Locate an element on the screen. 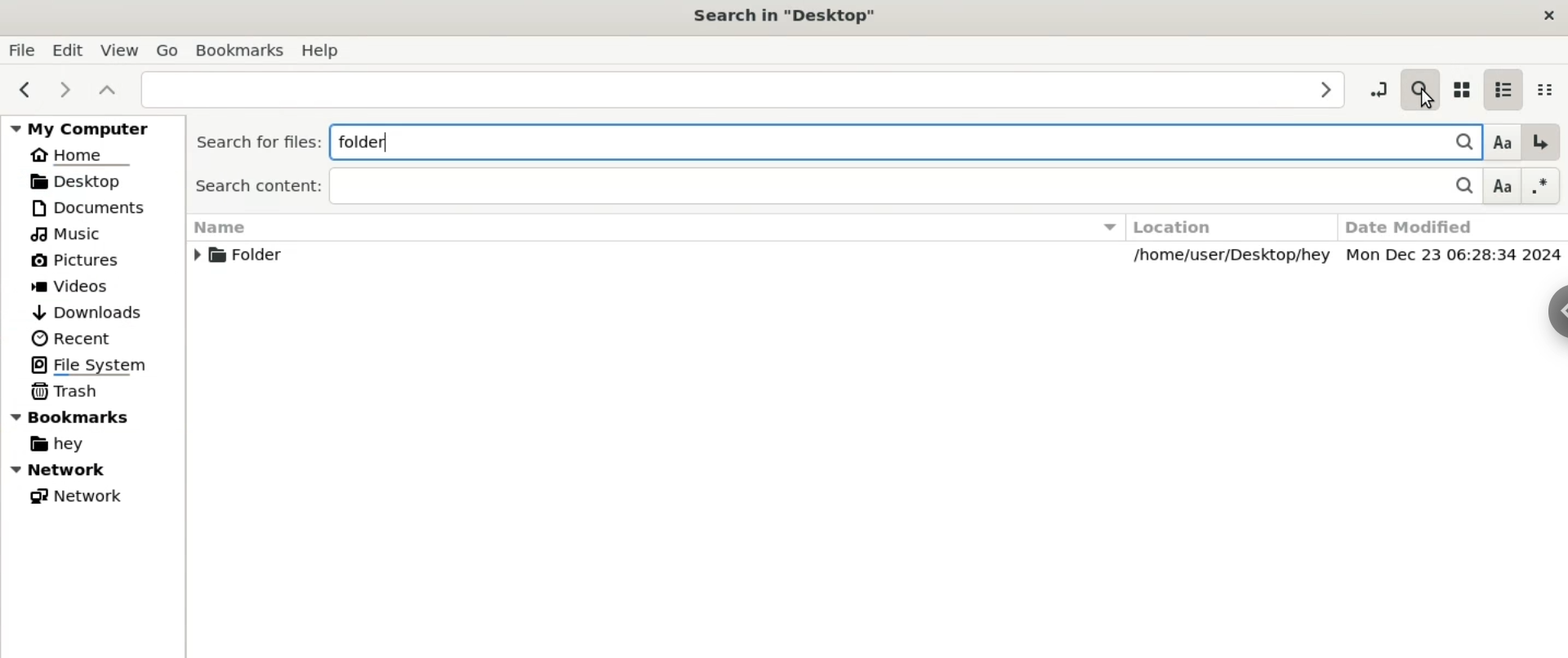 The height and width of the screenshot is (658, 1568). next is located at coordinates (64, 89).